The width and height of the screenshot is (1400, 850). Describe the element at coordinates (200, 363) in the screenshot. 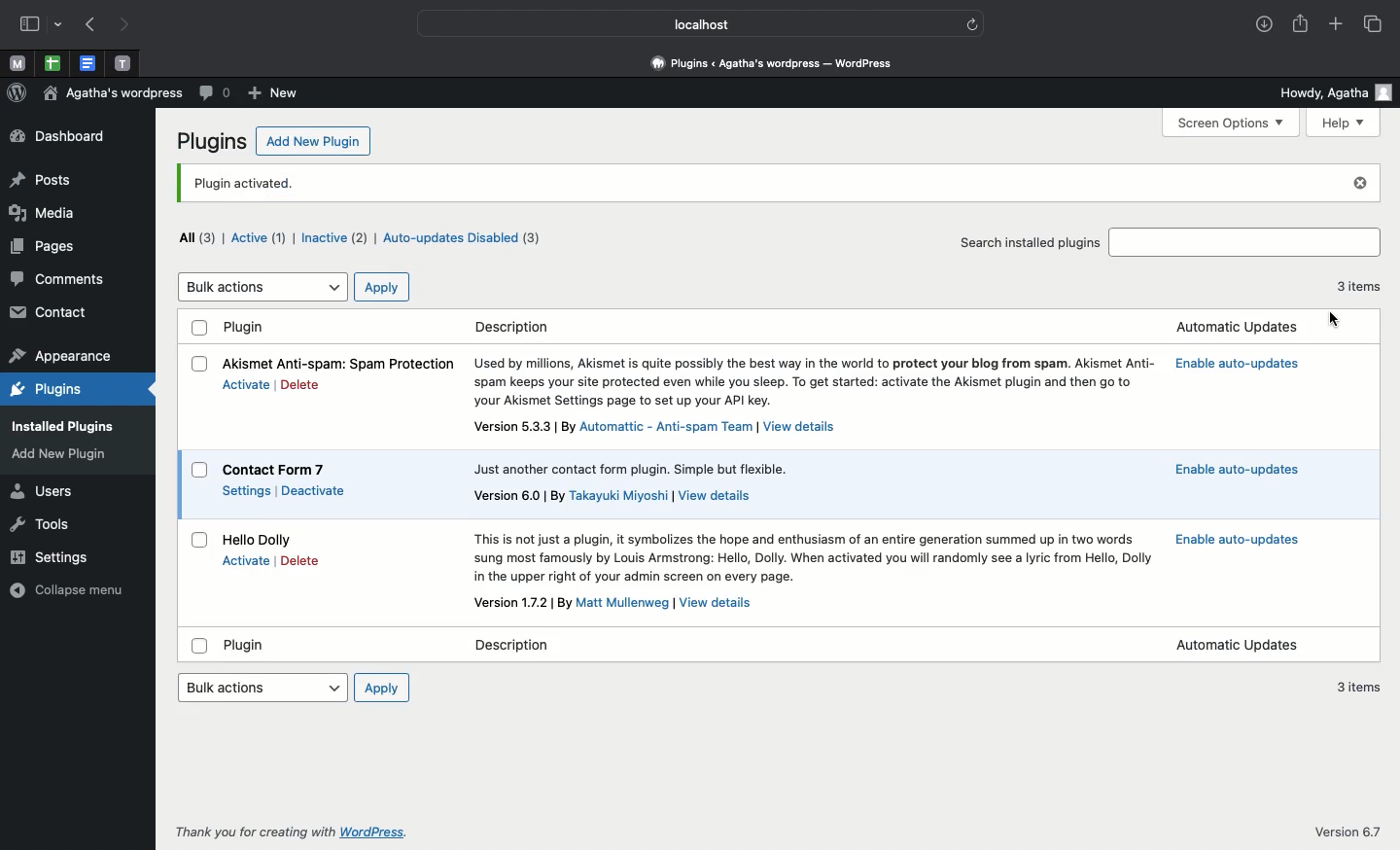

I see `Checkbox` at that location.